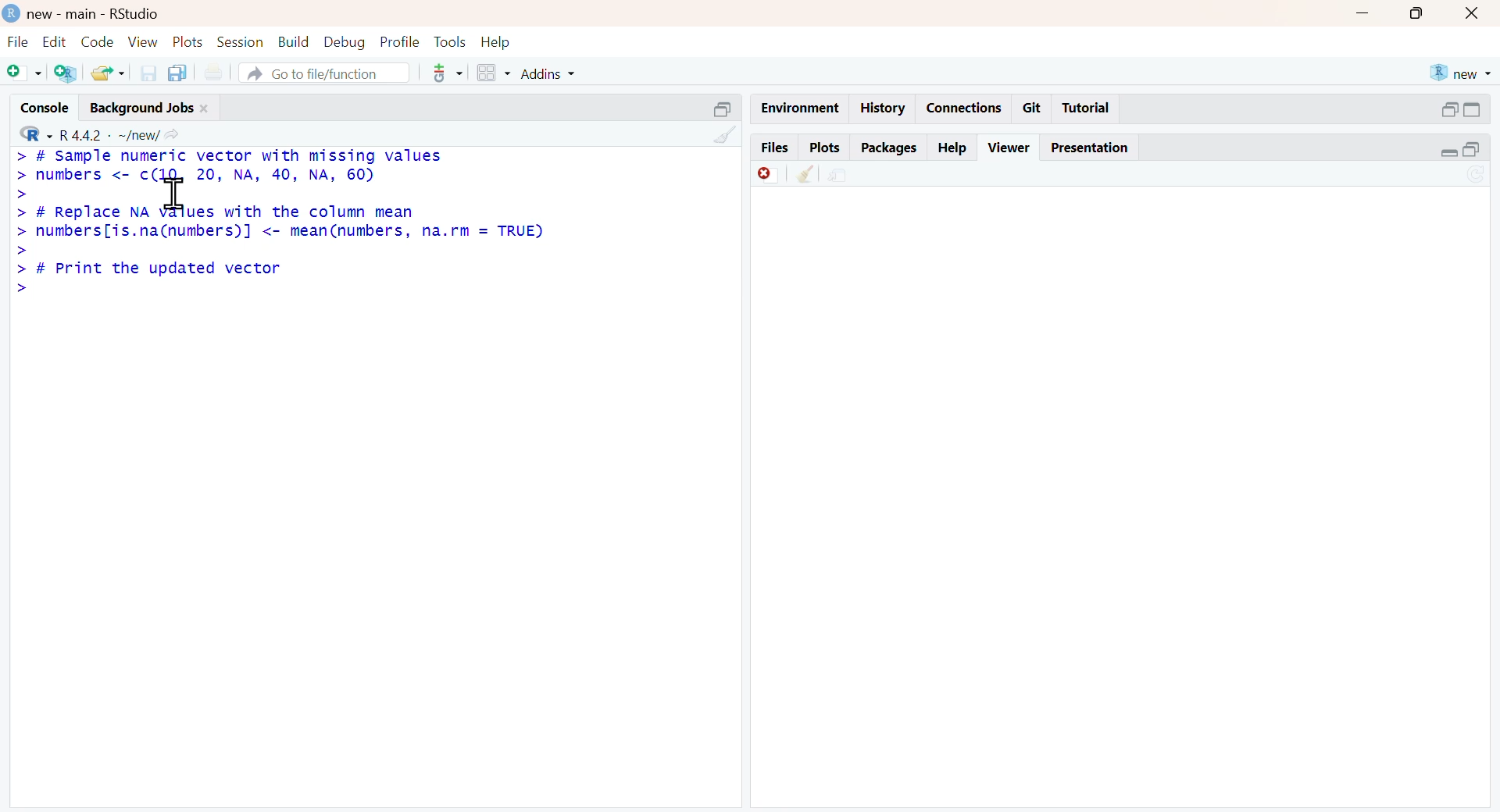  What do you see at coordinates (109, 136) in the screenshot?
I see `R 4.4.2 ~/new/` at bounding box center [109, 136].